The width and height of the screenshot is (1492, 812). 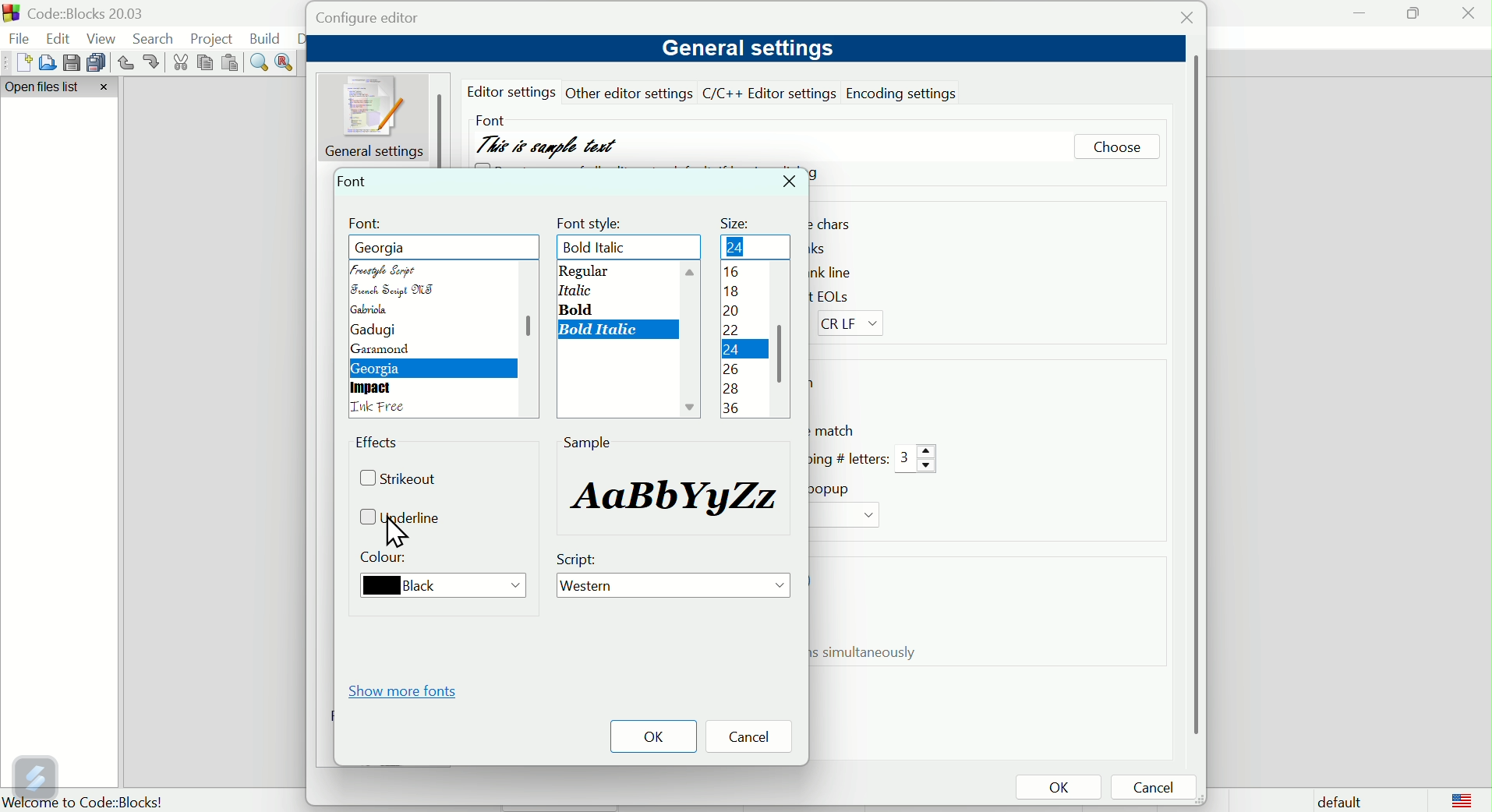 What do you see at coordinates (98, 13) in the screenshot?
I see `Court blocks 2003` at bounding box center [98, 13].